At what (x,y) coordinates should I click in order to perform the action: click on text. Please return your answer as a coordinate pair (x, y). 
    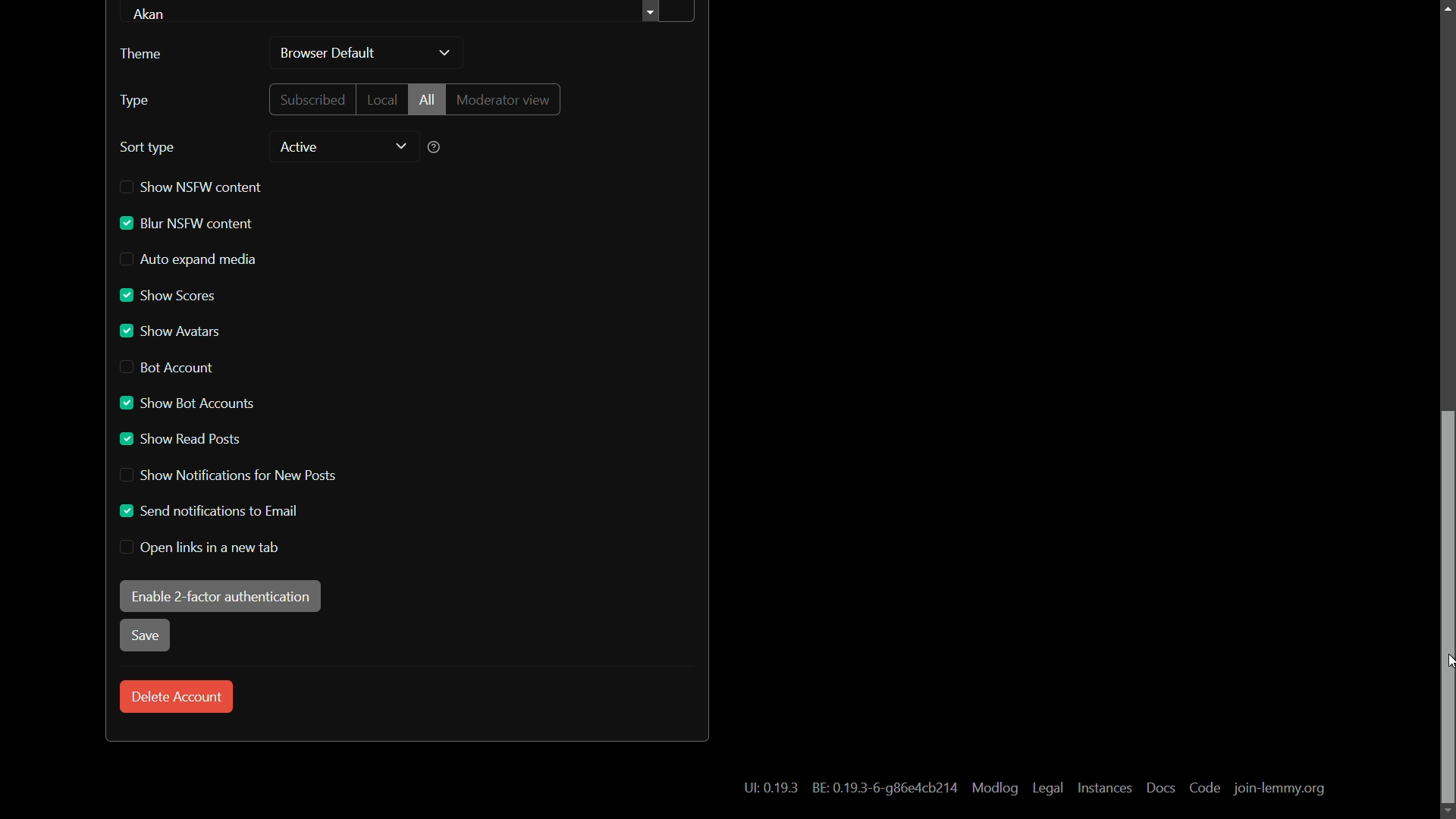
    Looking at the image, I should click on (770, 789).